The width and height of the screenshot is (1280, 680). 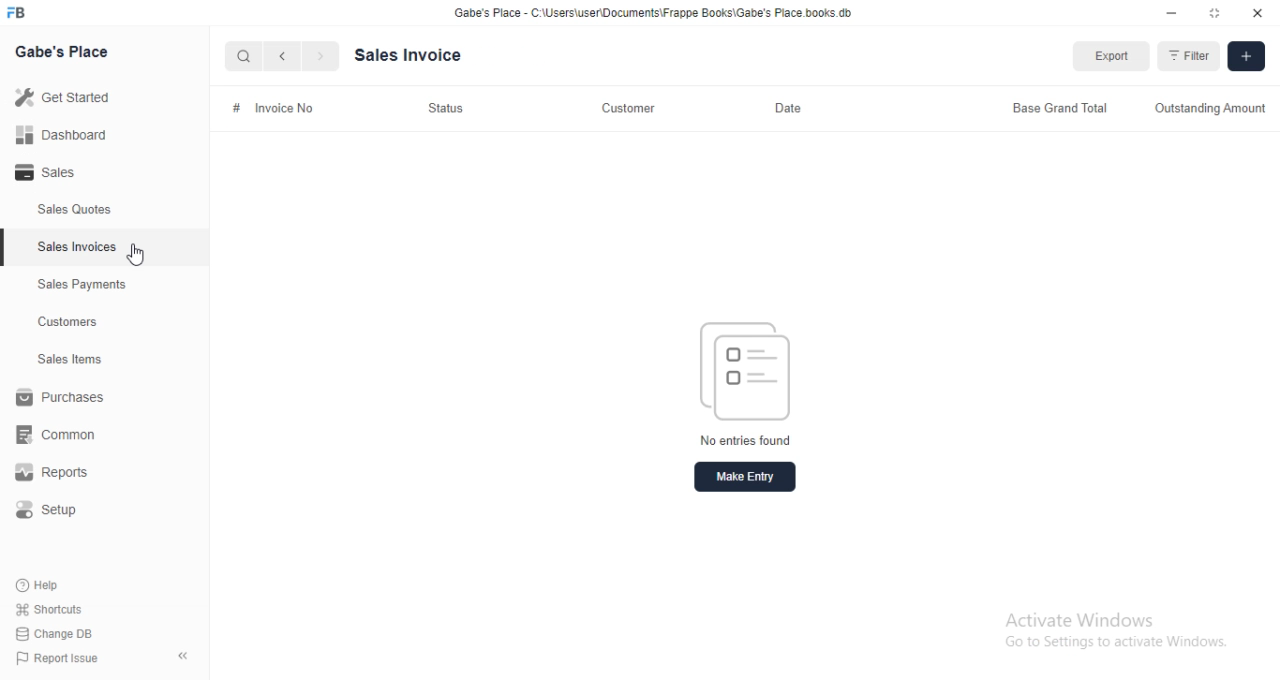 What do you see at coordinates (284, 54) in the screenshot?
I see `previous` at bounding box center [284, 54].